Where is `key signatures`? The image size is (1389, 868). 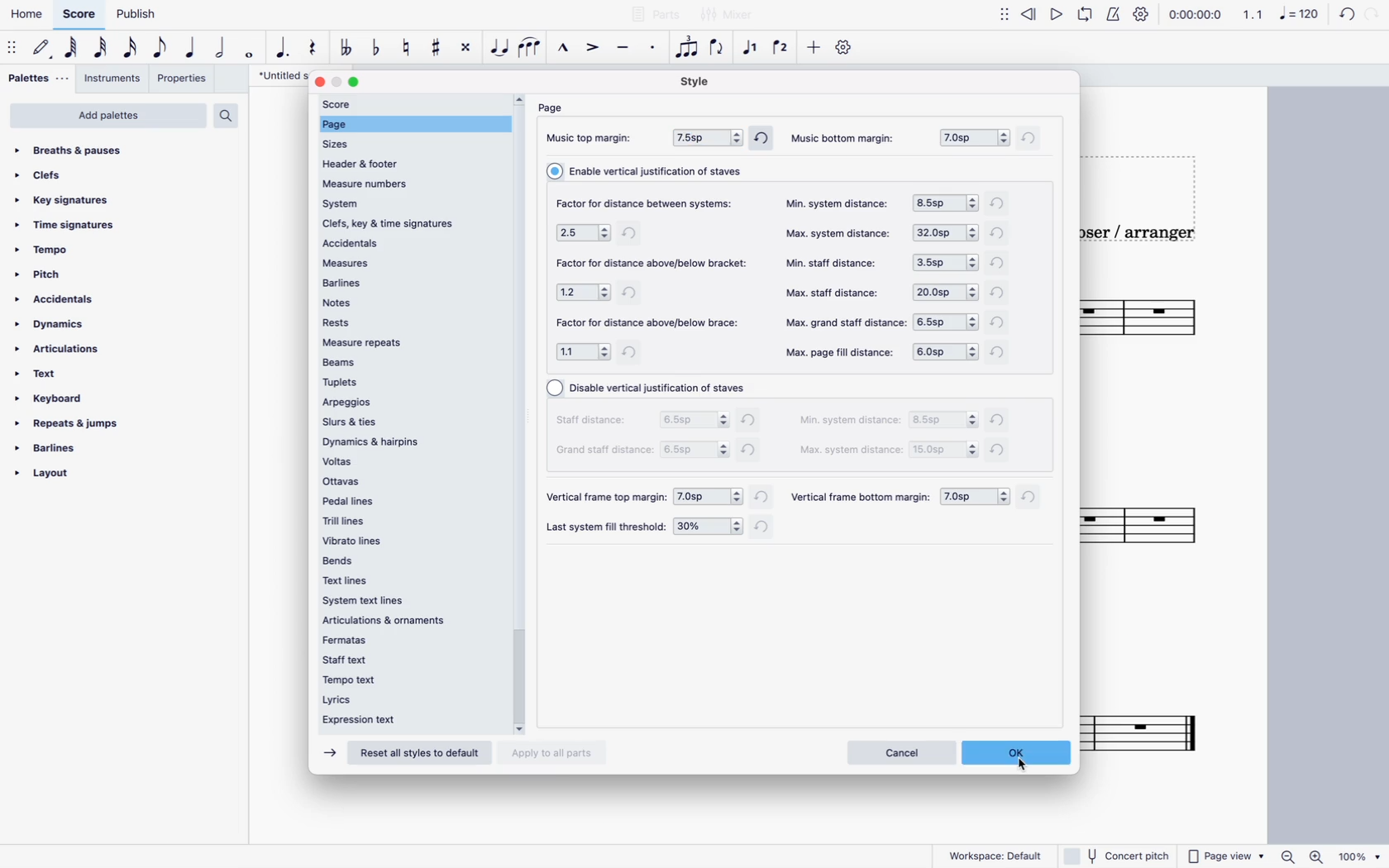
key signatures is located at coordinates (69, 200).